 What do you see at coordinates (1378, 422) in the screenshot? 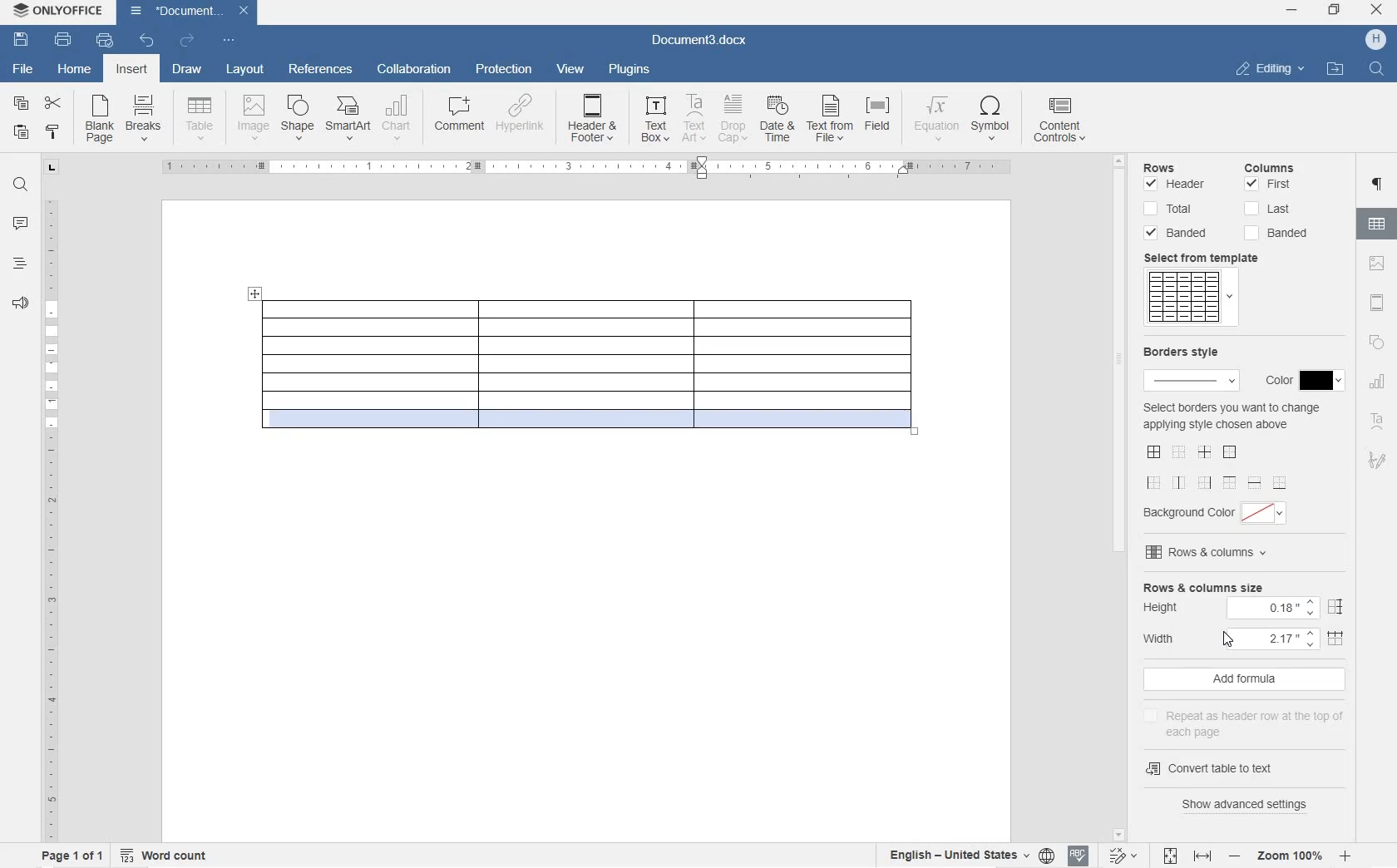
I see `TEXT ART` at bounding box center [1378, 422].